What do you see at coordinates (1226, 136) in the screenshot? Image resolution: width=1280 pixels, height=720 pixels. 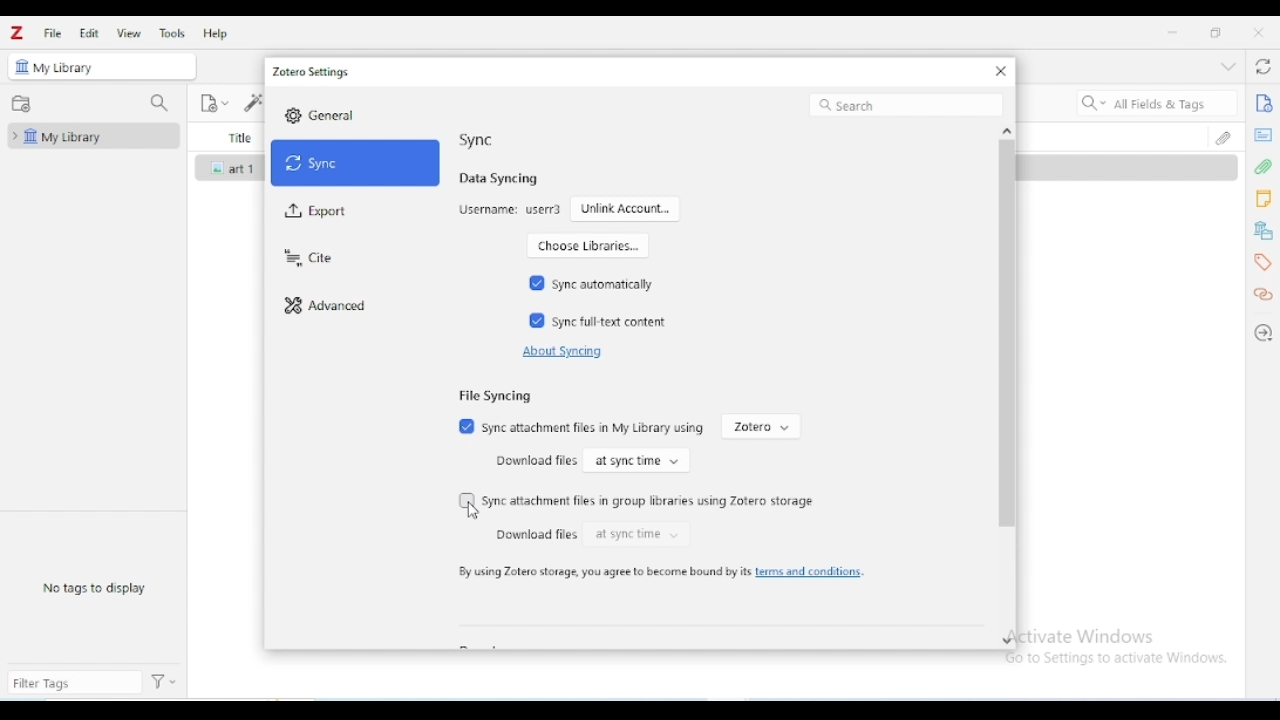 I see `attachments` at bounding box center [1226, 136].